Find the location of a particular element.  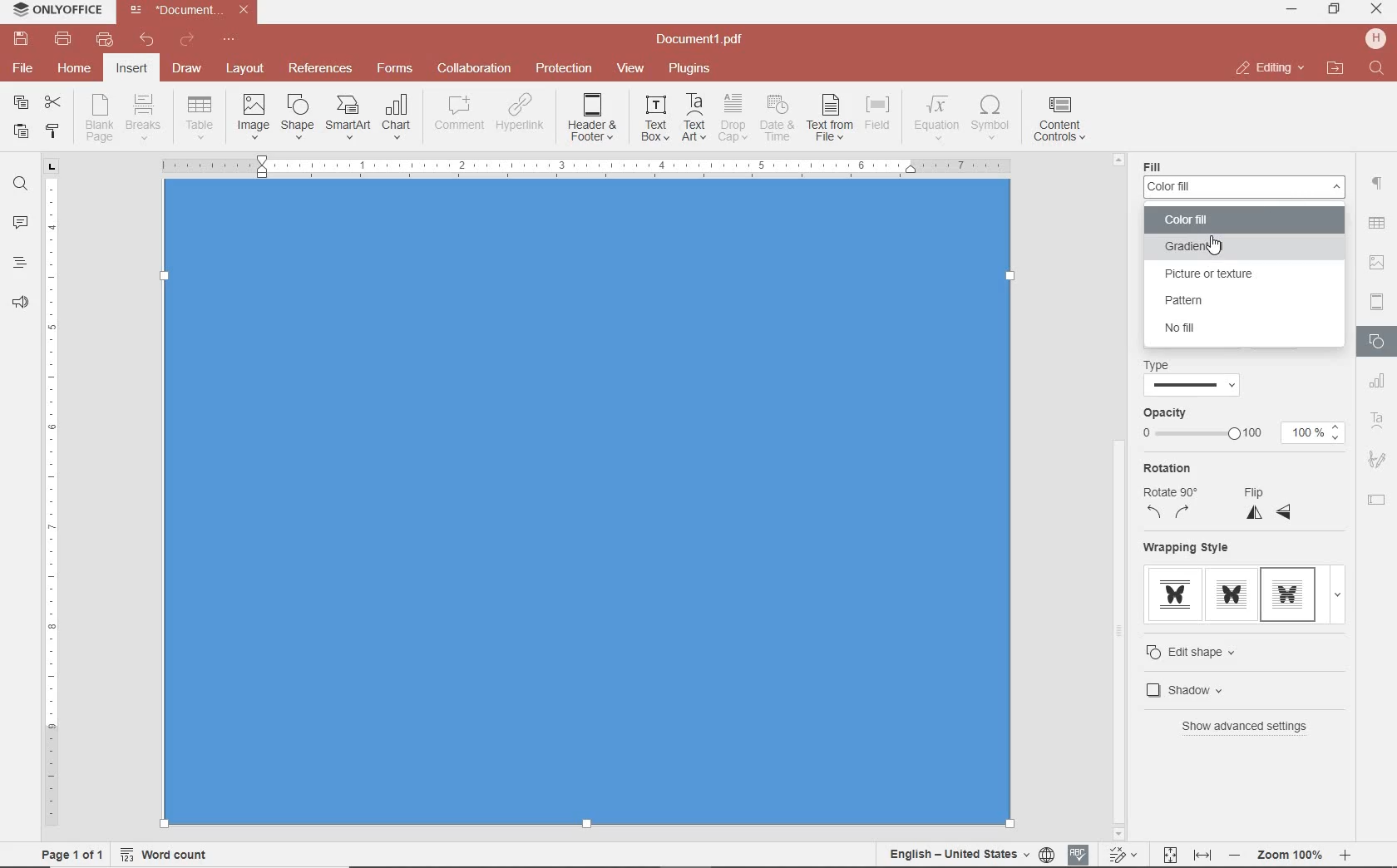

comments is located at coordinates (20, 224).